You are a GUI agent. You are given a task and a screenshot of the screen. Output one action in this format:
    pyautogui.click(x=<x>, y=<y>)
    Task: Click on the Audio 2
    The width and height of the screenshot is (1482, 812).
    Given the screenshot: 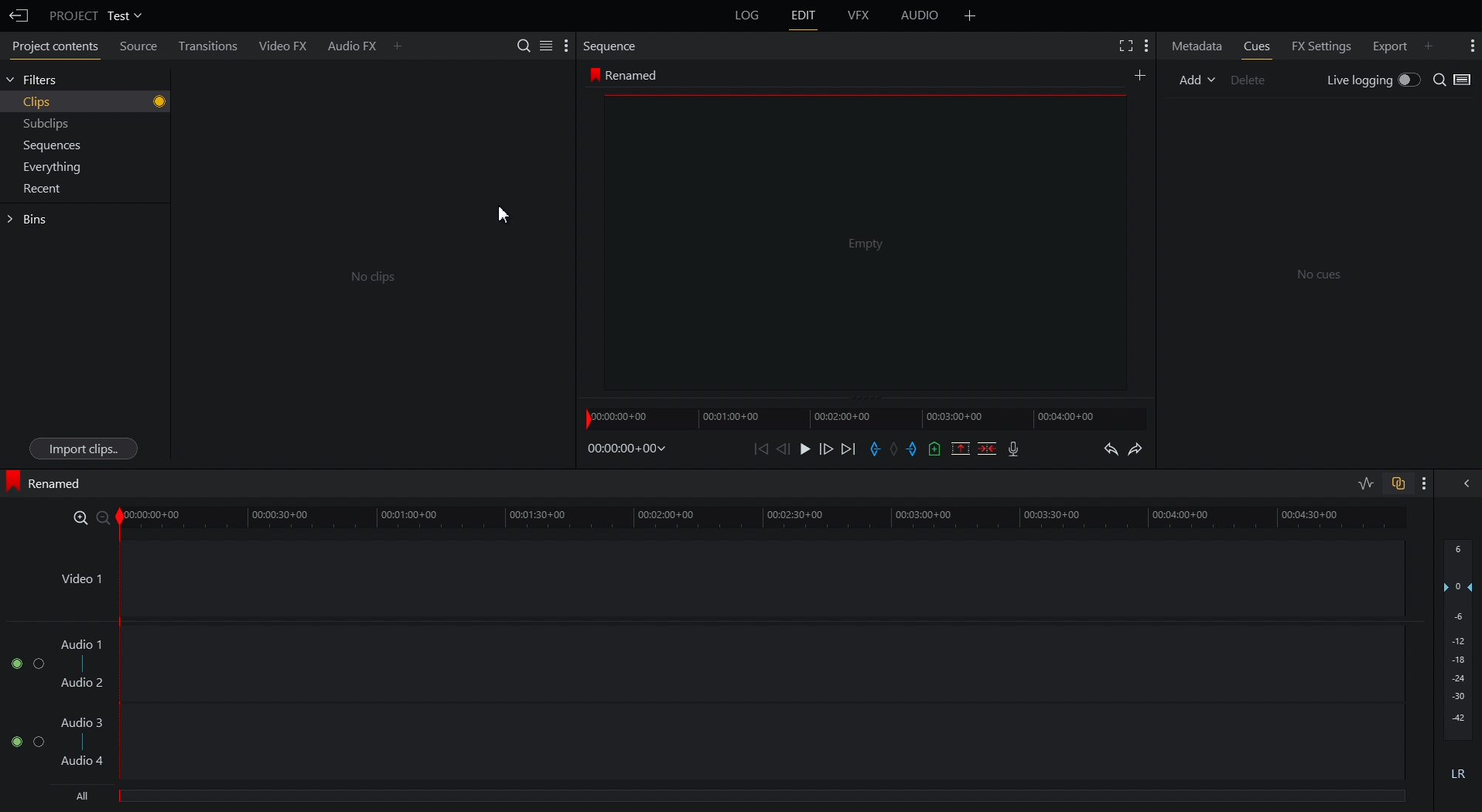 What is the action you would take?
    pyautogui.click(x=84, y=682)
    